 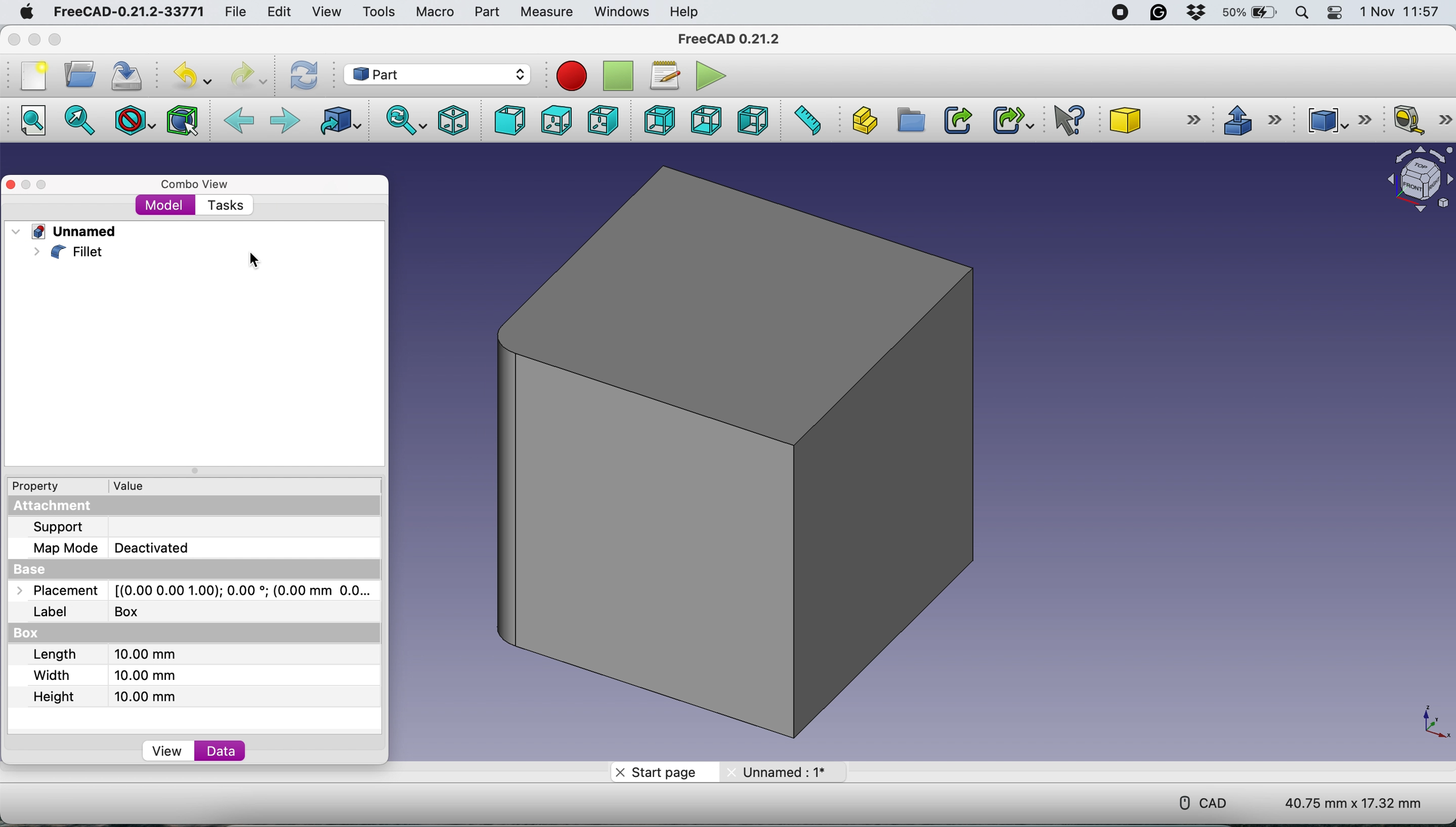 I want to click on dropbox, so click(x=1199, y=12).